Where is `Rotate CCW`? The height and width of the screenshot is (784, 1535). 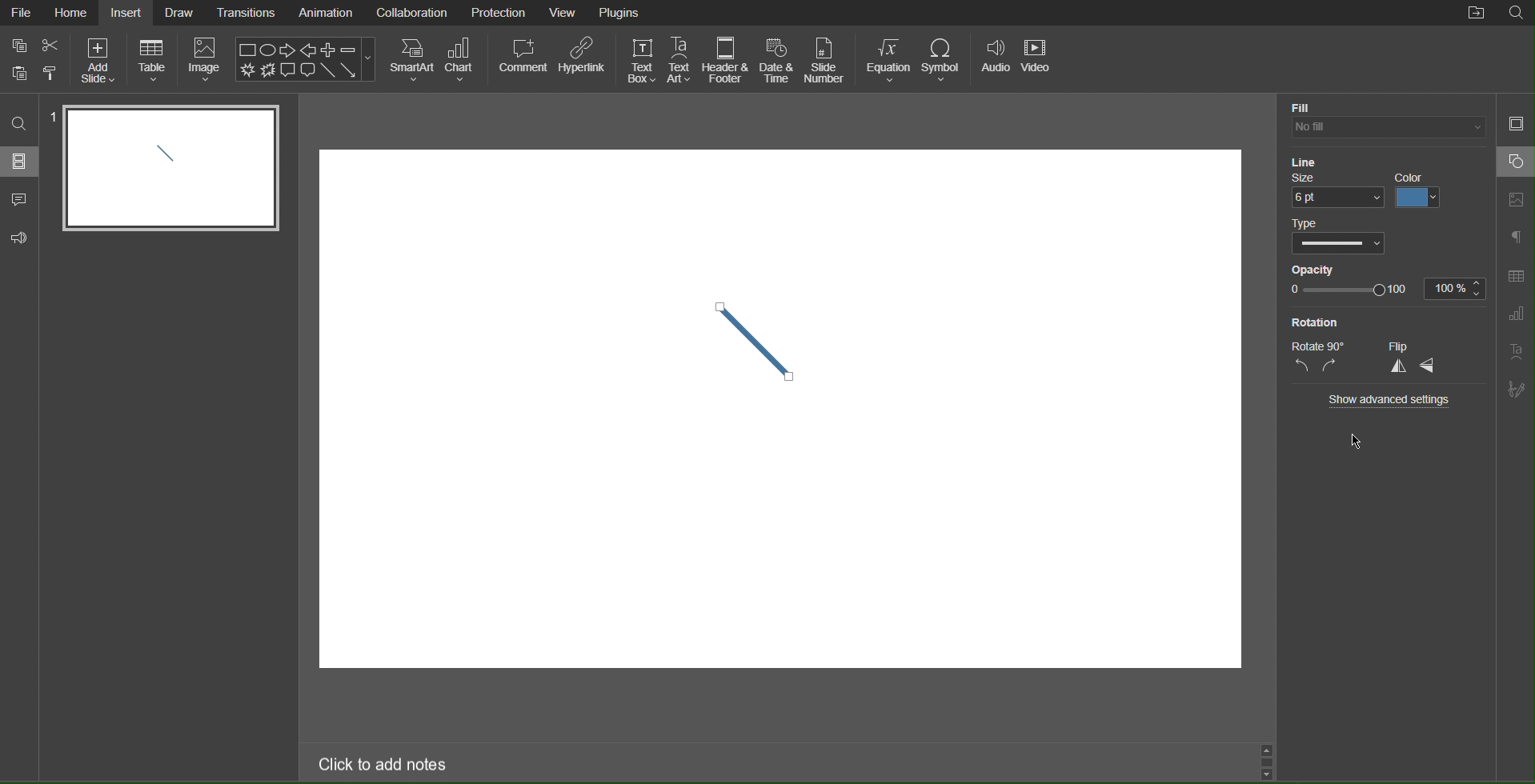 Rotate CCW is located at coordinates (1302, 366).